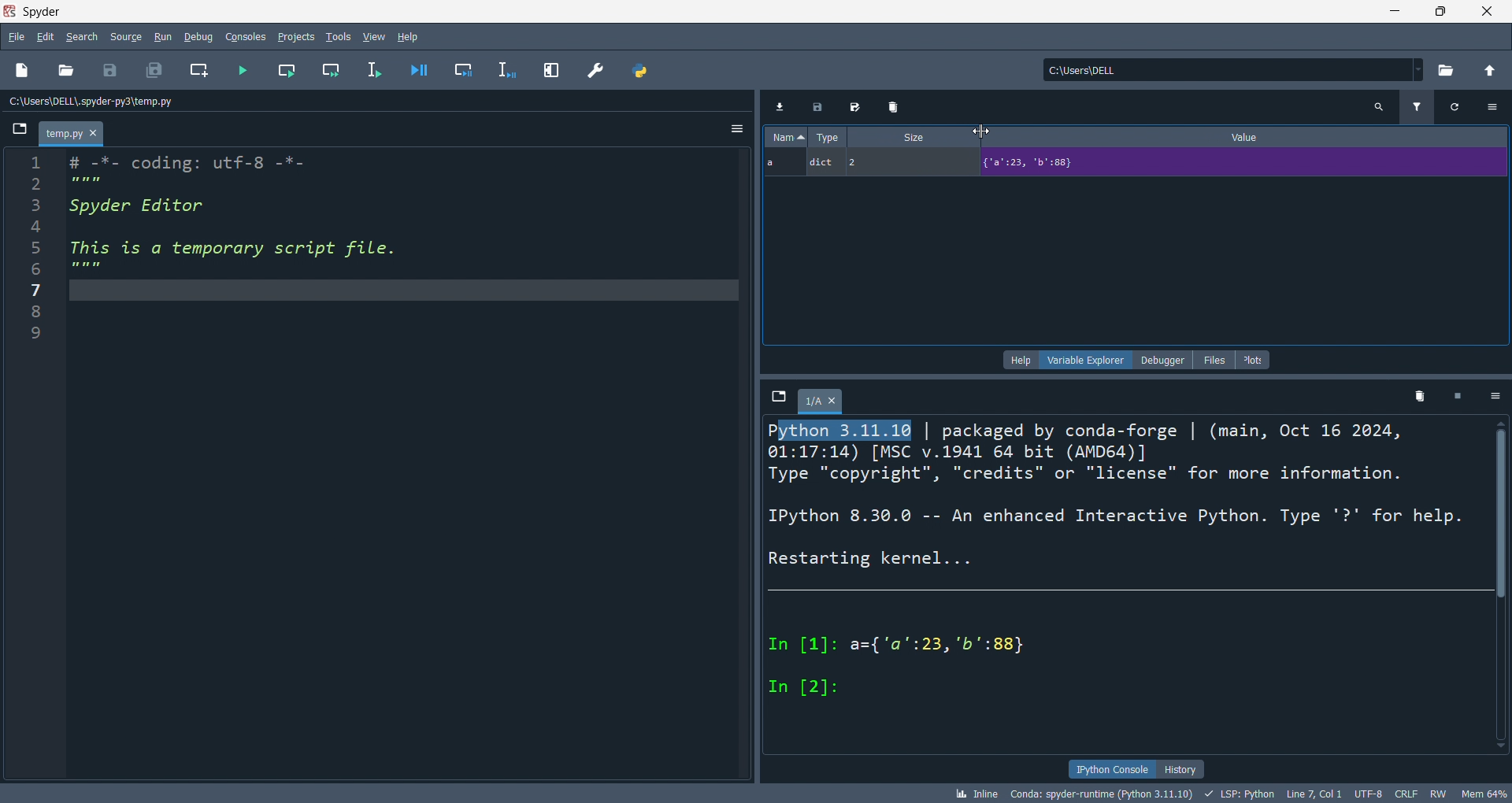  What do you see at coordinates (64, 72) in the screenshot?
I see `open file` at bounding box center [64, 72].